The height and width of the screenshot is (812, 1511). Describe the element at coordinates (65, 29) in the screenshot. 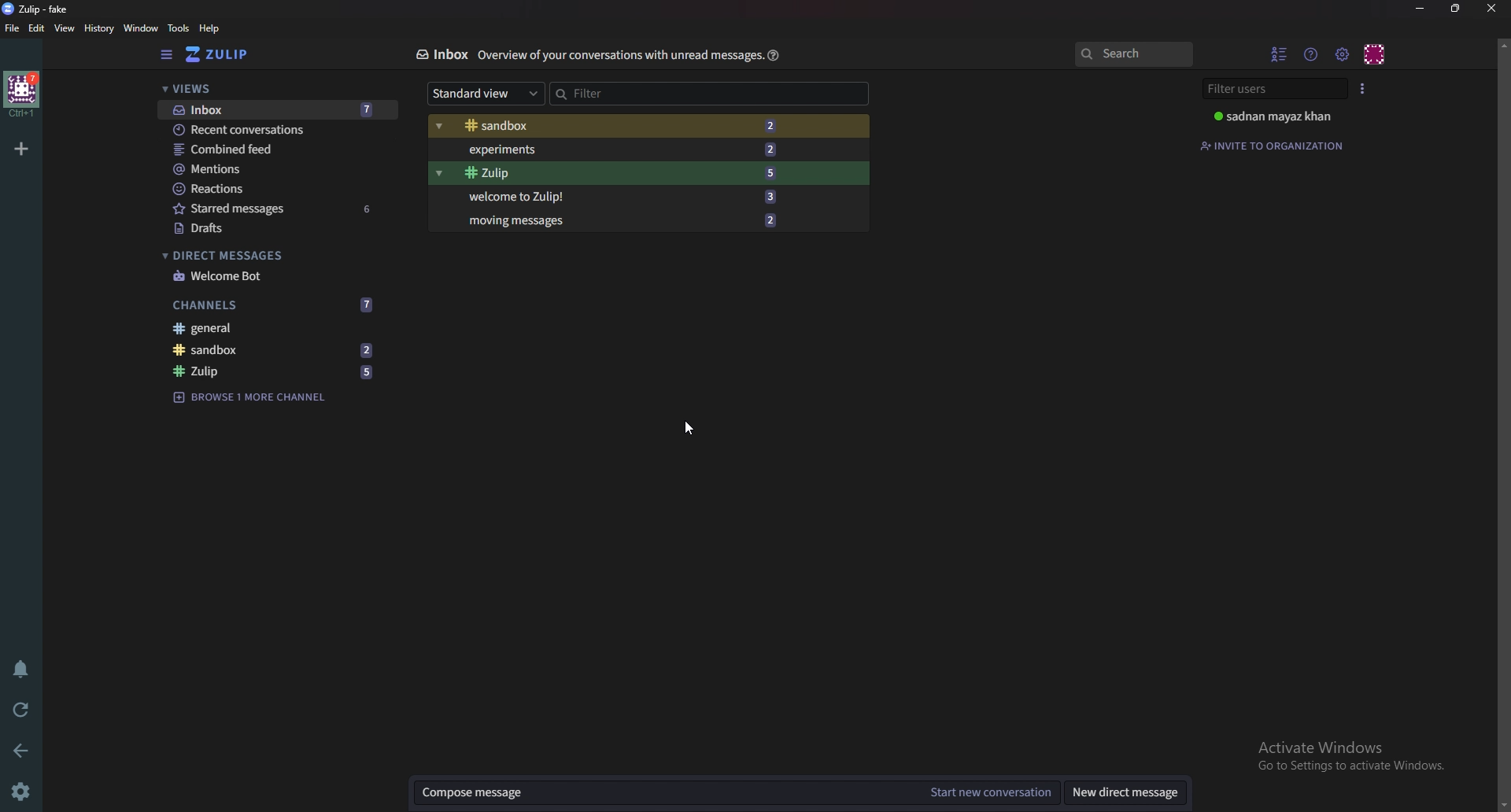

I see `View` at that location.